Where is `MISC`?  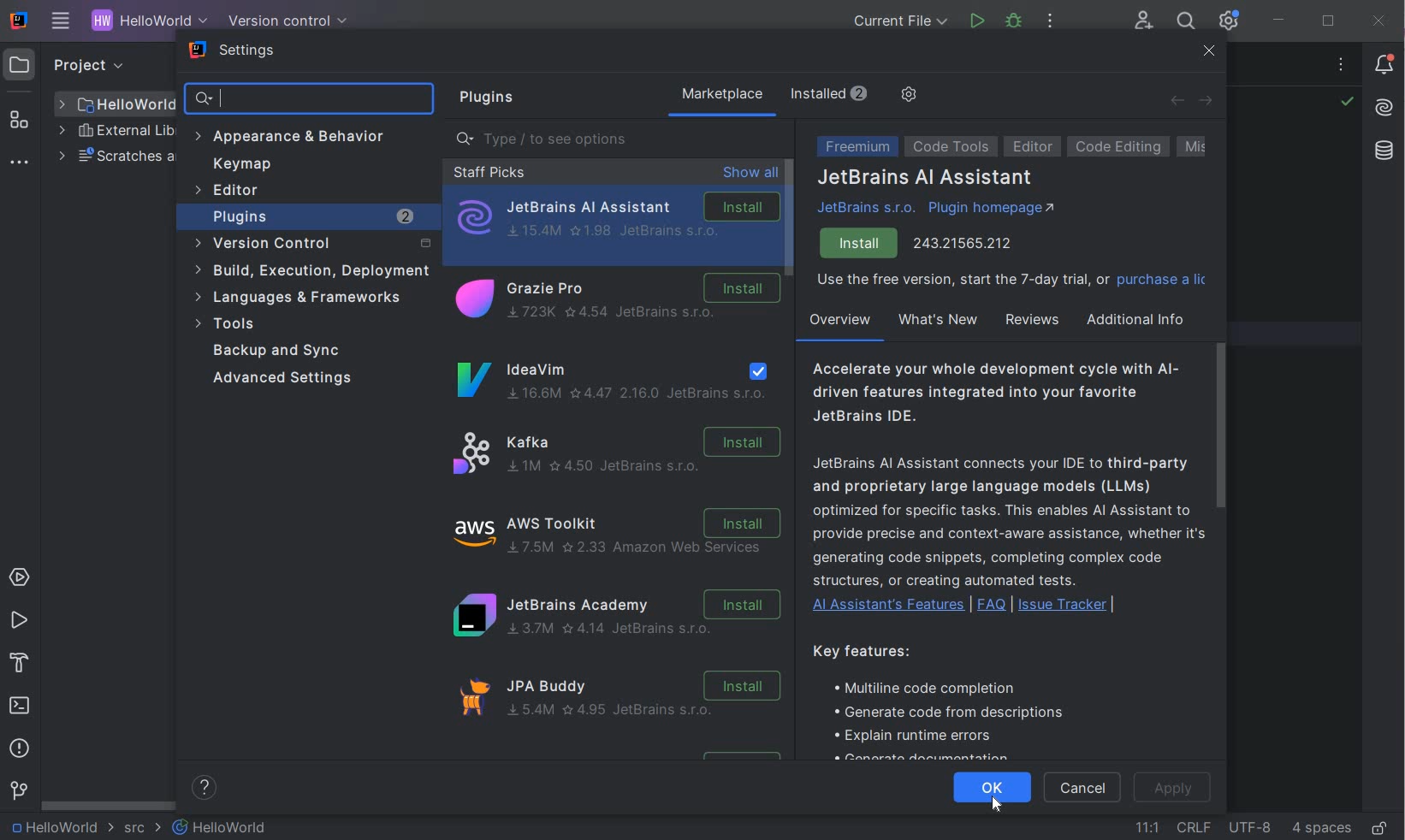
MISC is located at coordinates (1207, 147).